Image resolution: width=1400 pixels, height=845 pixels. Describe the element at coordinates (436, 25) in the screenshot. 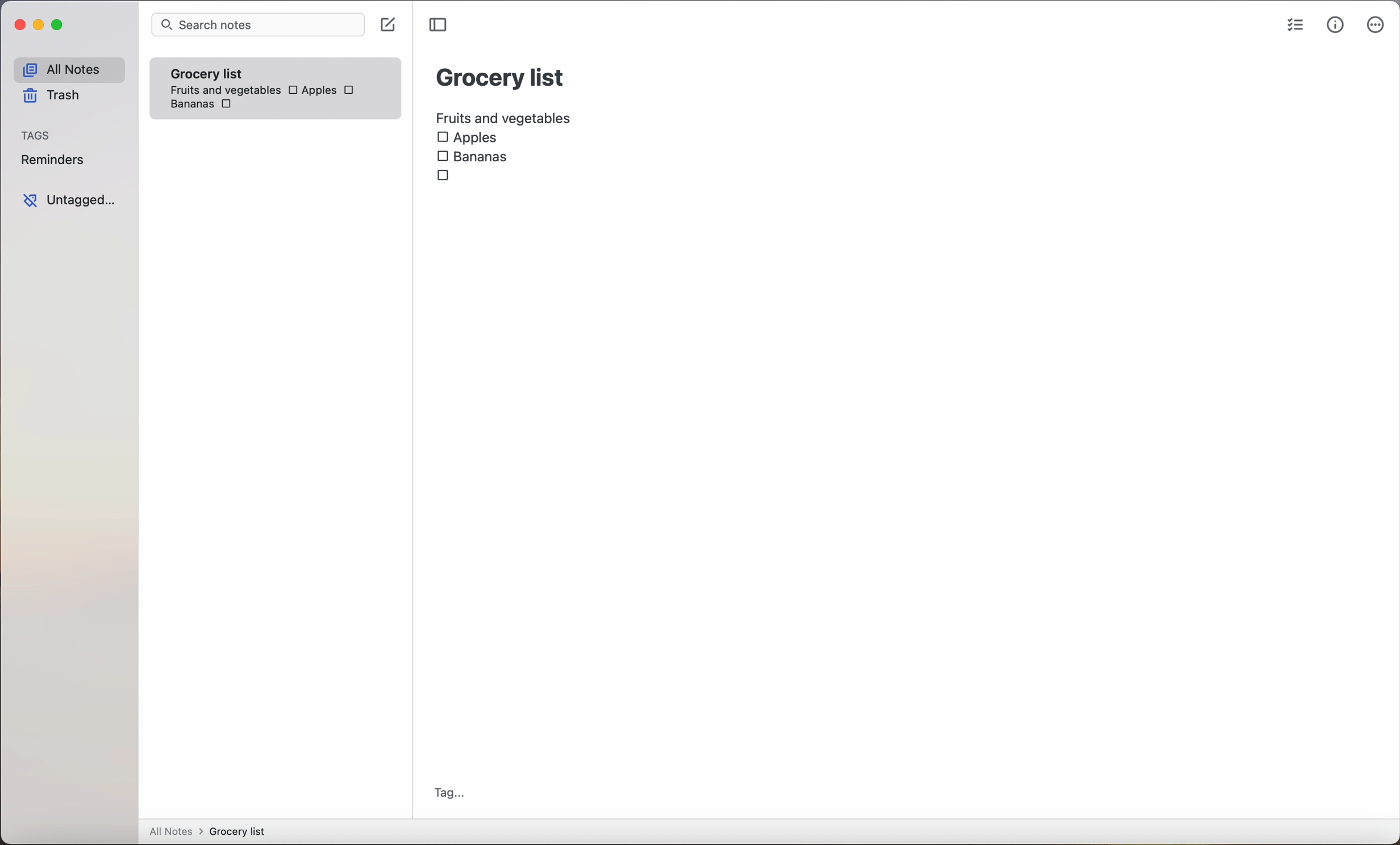

I see `toggle sidebar` at that location.